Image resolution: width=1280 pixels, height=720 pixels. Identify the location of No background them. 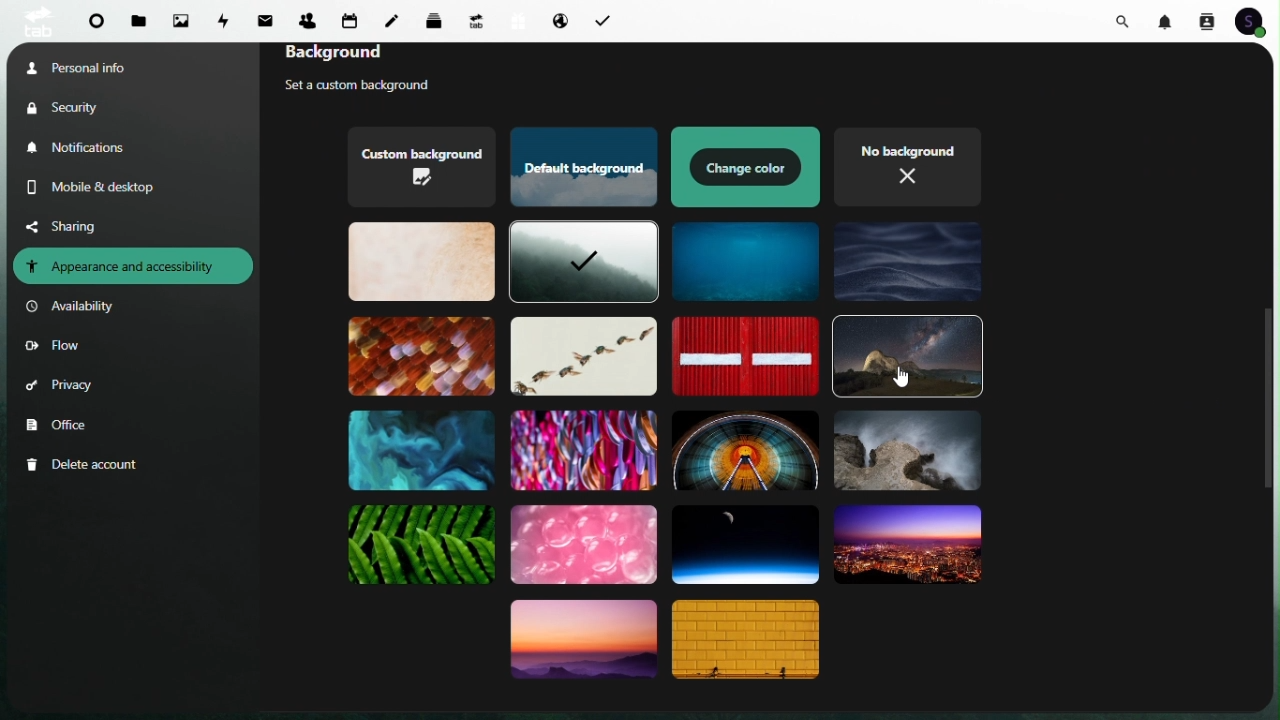
(911, 165).